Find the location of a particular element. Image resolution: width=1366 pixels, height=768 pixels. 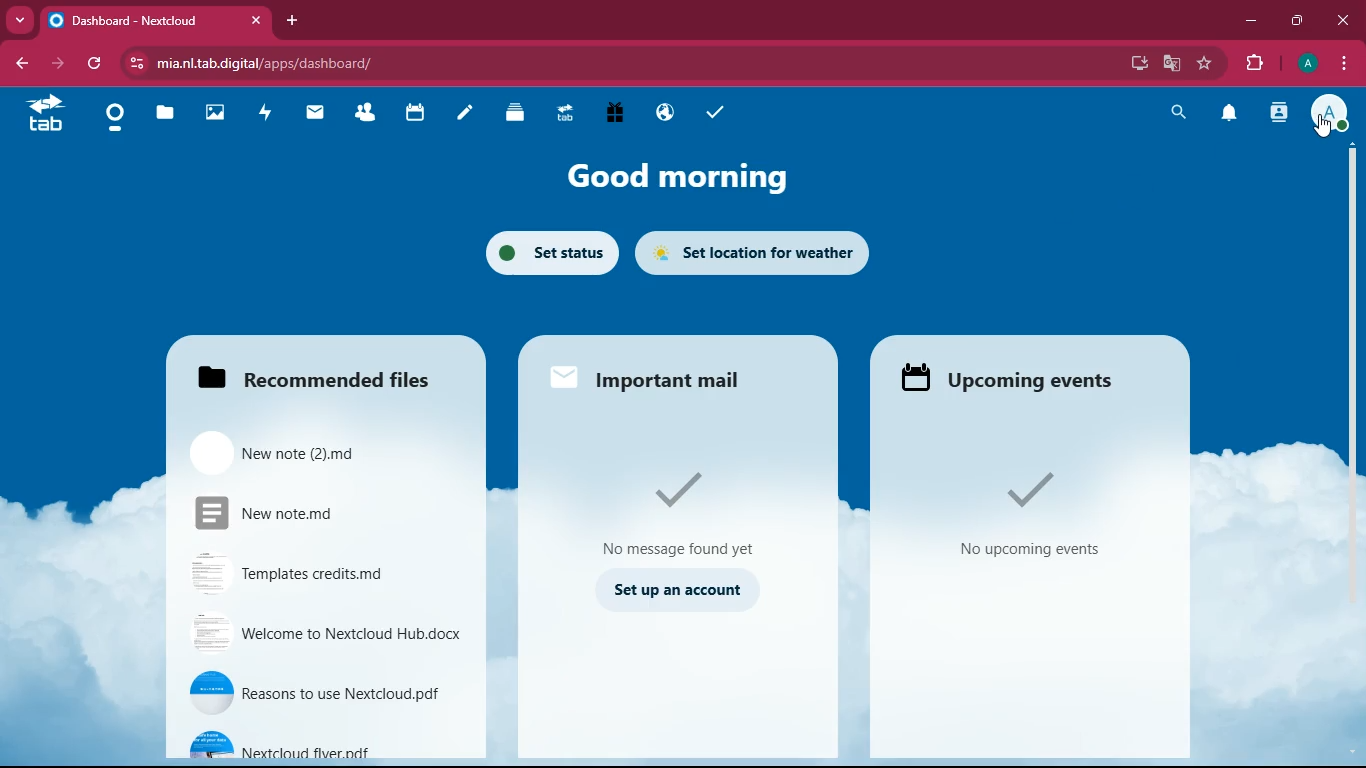

minimize is located at coordinates (1250, 22).